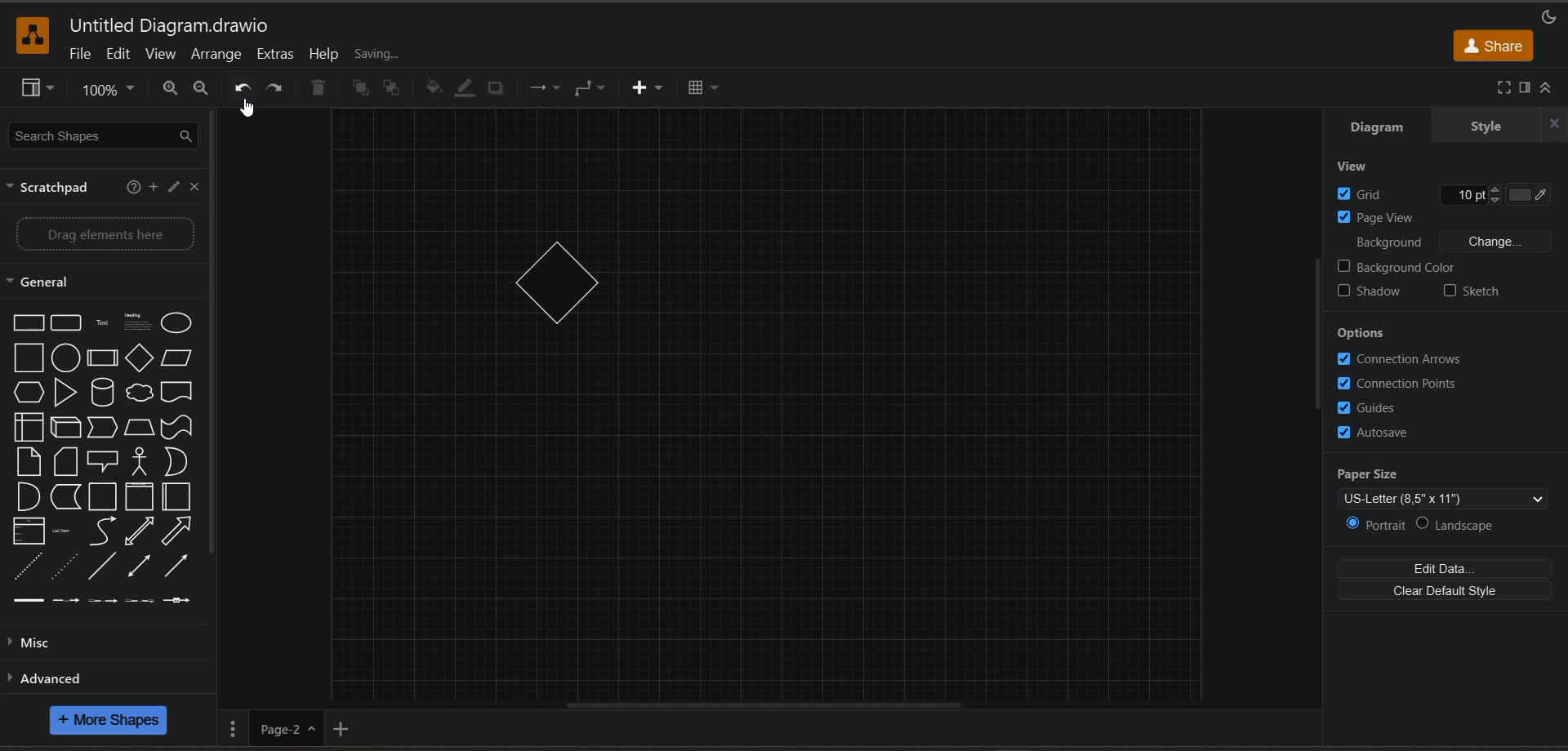 The image size is (1568, 751). Describe the element at coordinates (105, 393) in the screenshot. I see `Cylinder ` at that location.